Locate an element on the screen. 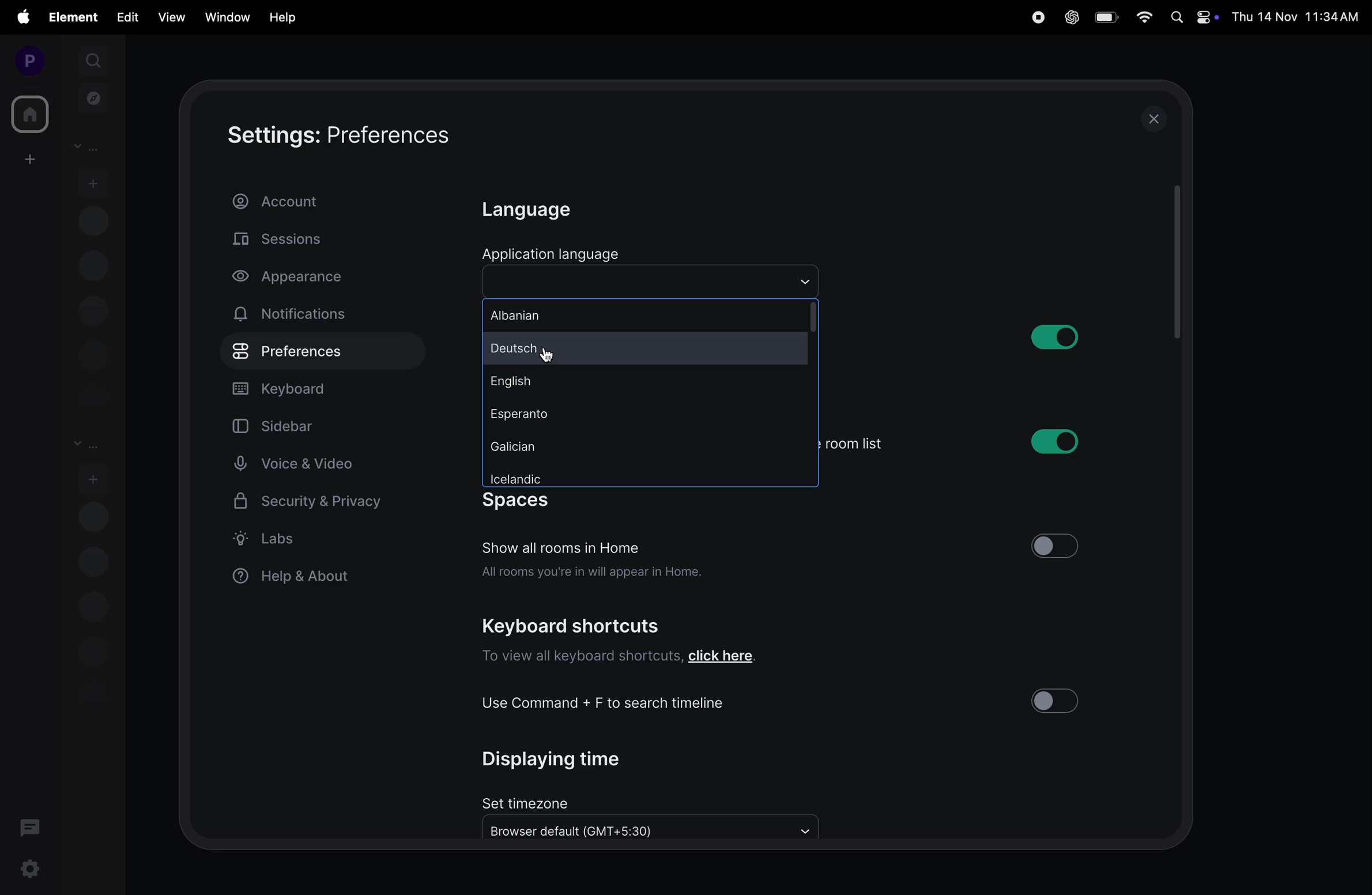  label is located at coordinates (286, 541).